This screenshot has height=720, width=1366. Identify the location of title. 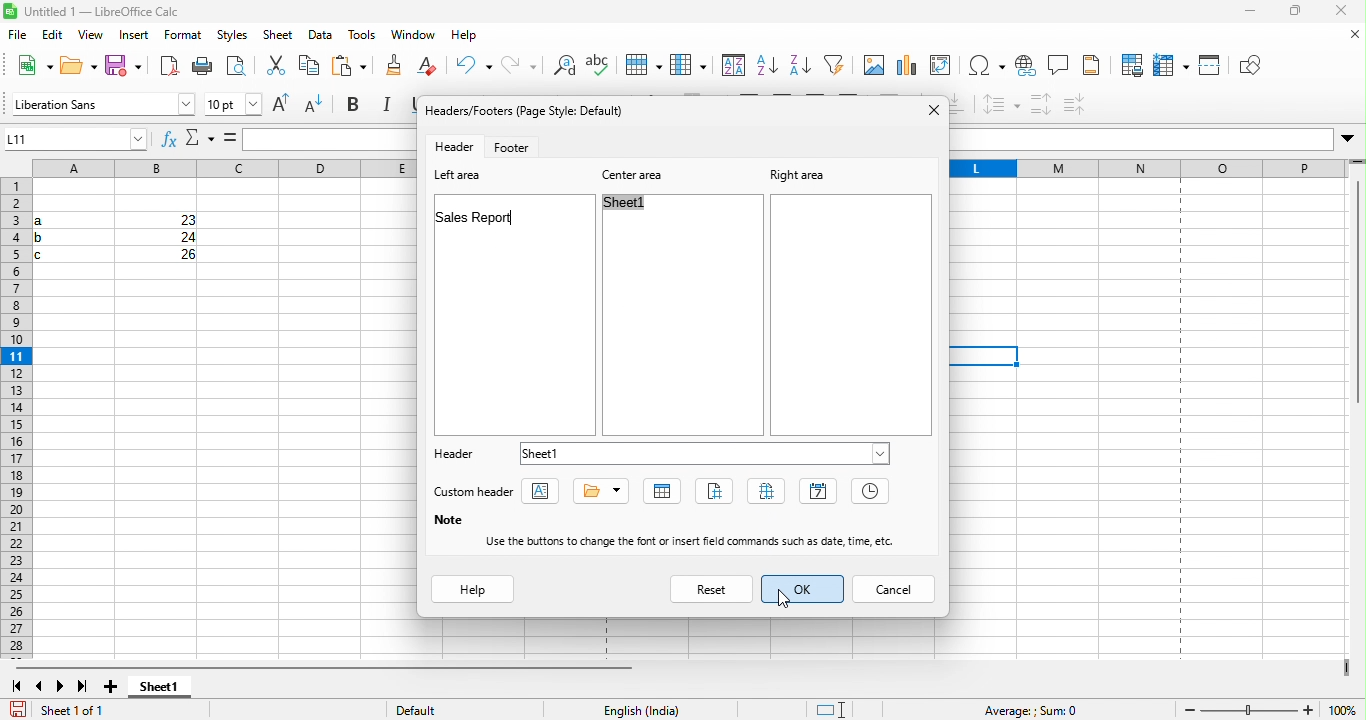
(108, 13).